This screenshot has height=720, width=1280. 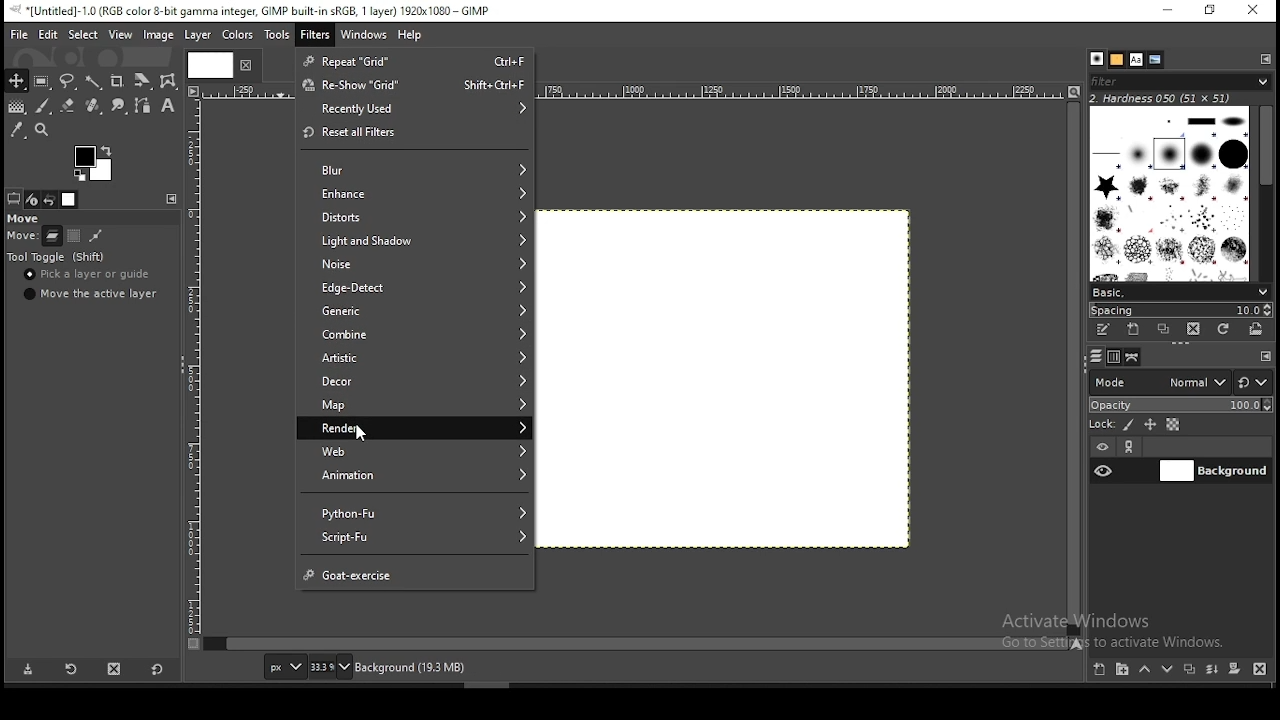 What do you see at coordinates (1171, 669) in the screenshot?
I see `move layer on step down` at bounding box center [1171, 669].